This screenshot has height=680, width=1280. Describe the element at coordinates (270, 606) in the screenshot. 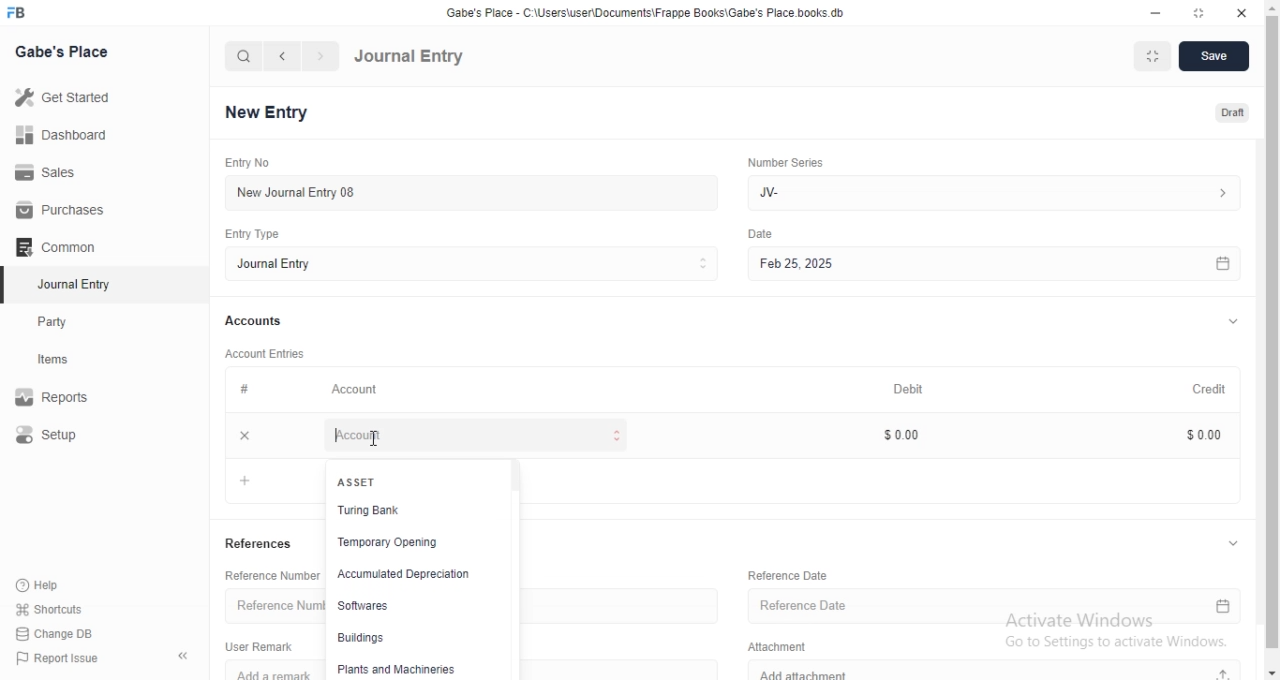

I see `Reference Number` at that location.